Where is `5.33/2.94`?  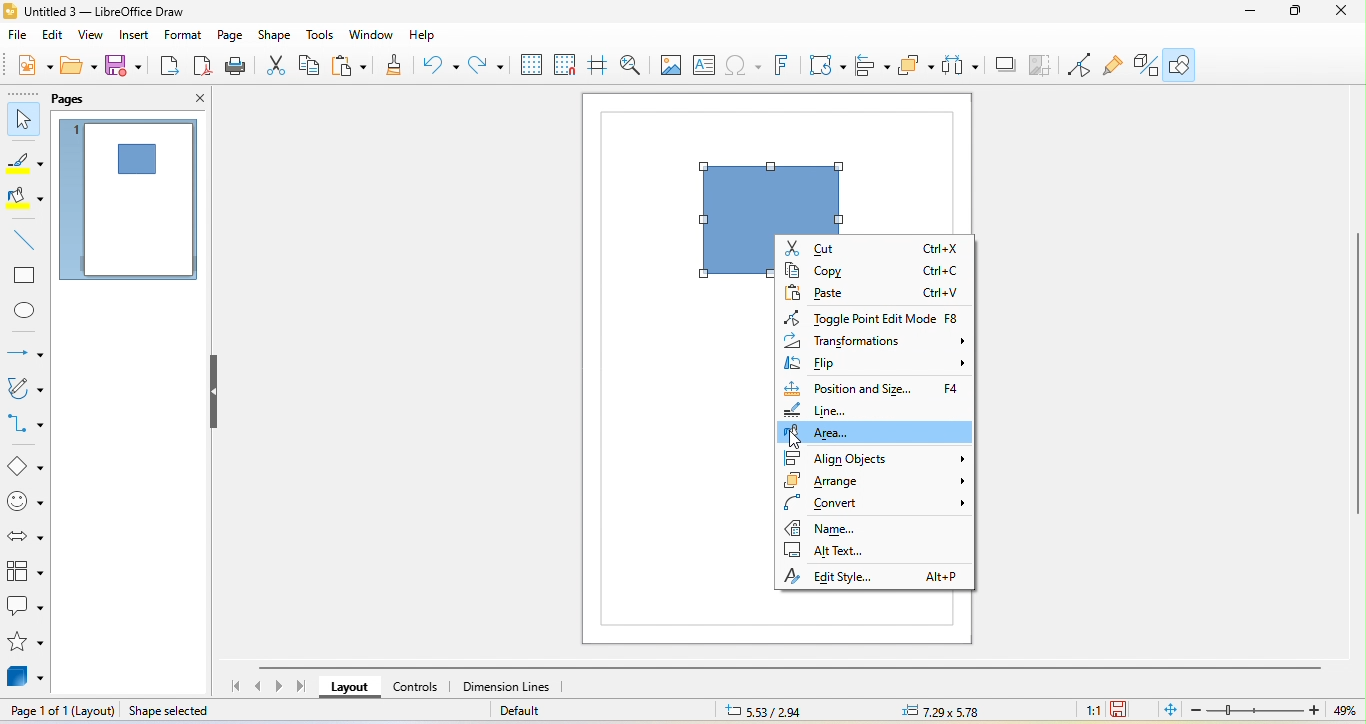 5.33/2.94 is located at coordinates (763, 711).